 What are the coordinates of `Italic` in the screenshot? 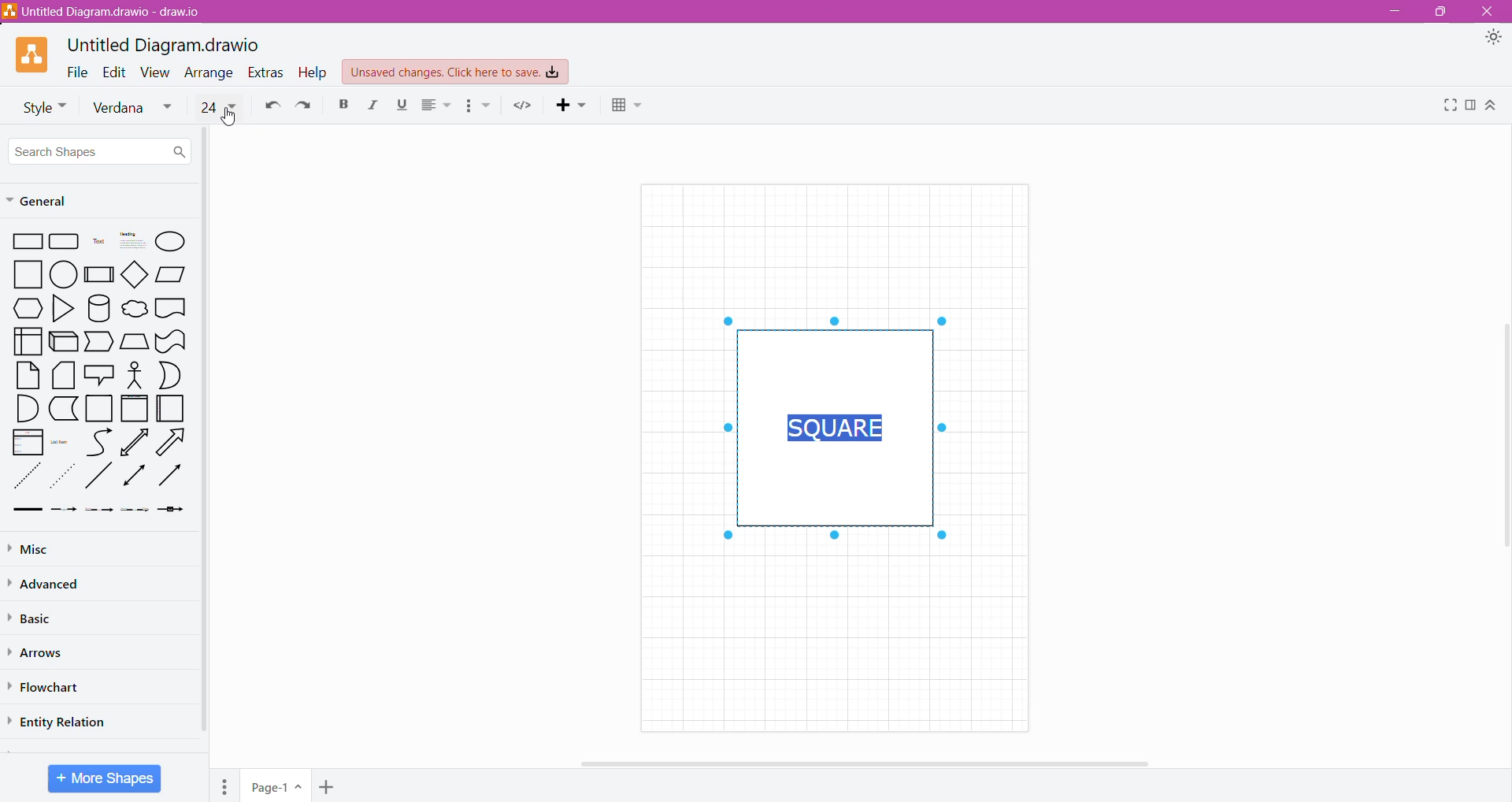 It's located at (374, 106).